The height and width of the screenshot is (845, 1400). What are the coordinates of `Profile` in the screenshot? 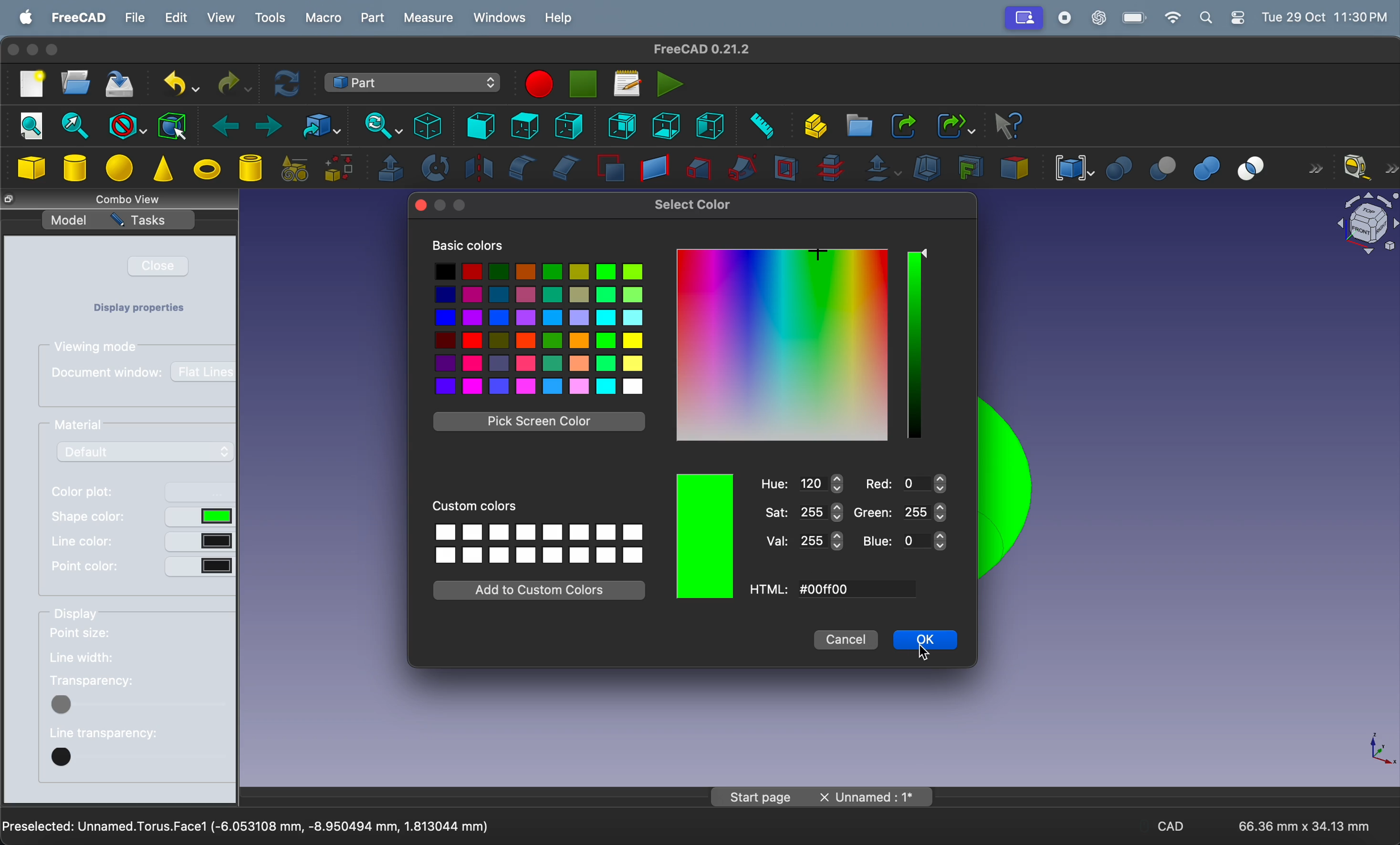 It's located at (1023, 17).